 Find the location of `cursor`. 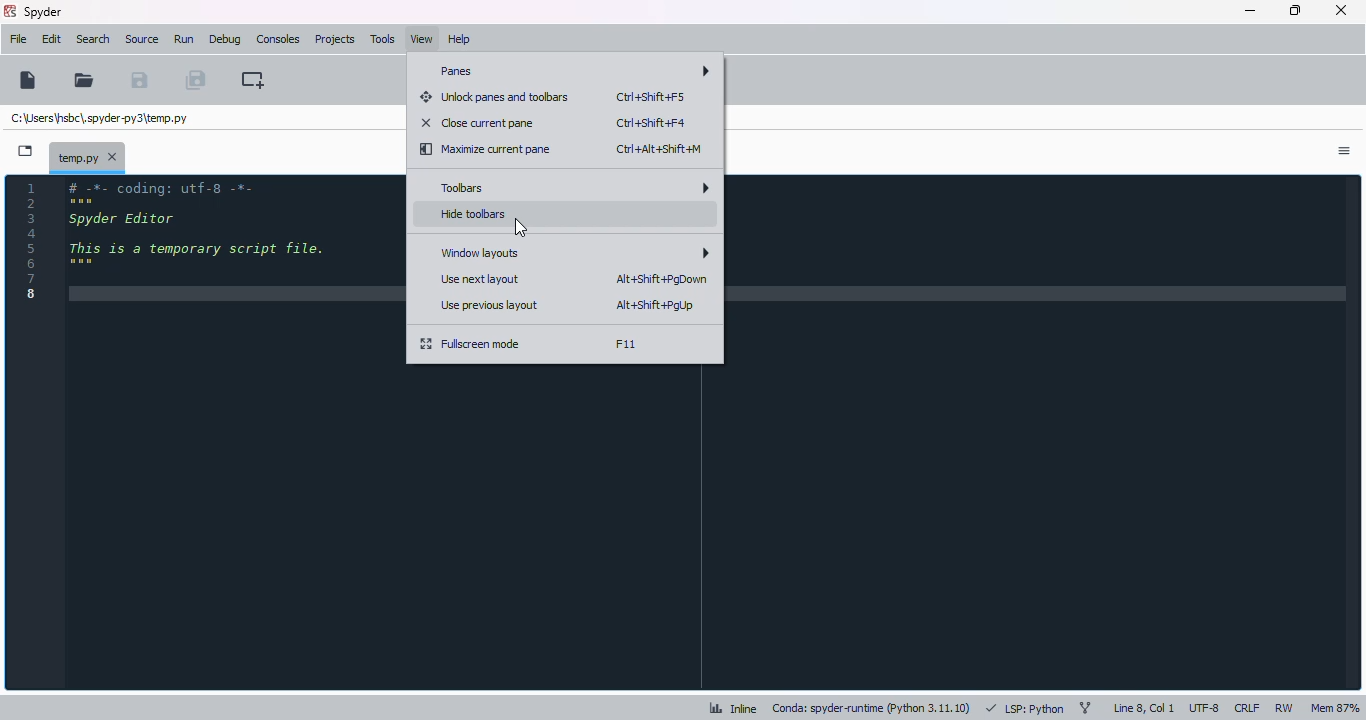

cursor is located at coordinates (520, 228).